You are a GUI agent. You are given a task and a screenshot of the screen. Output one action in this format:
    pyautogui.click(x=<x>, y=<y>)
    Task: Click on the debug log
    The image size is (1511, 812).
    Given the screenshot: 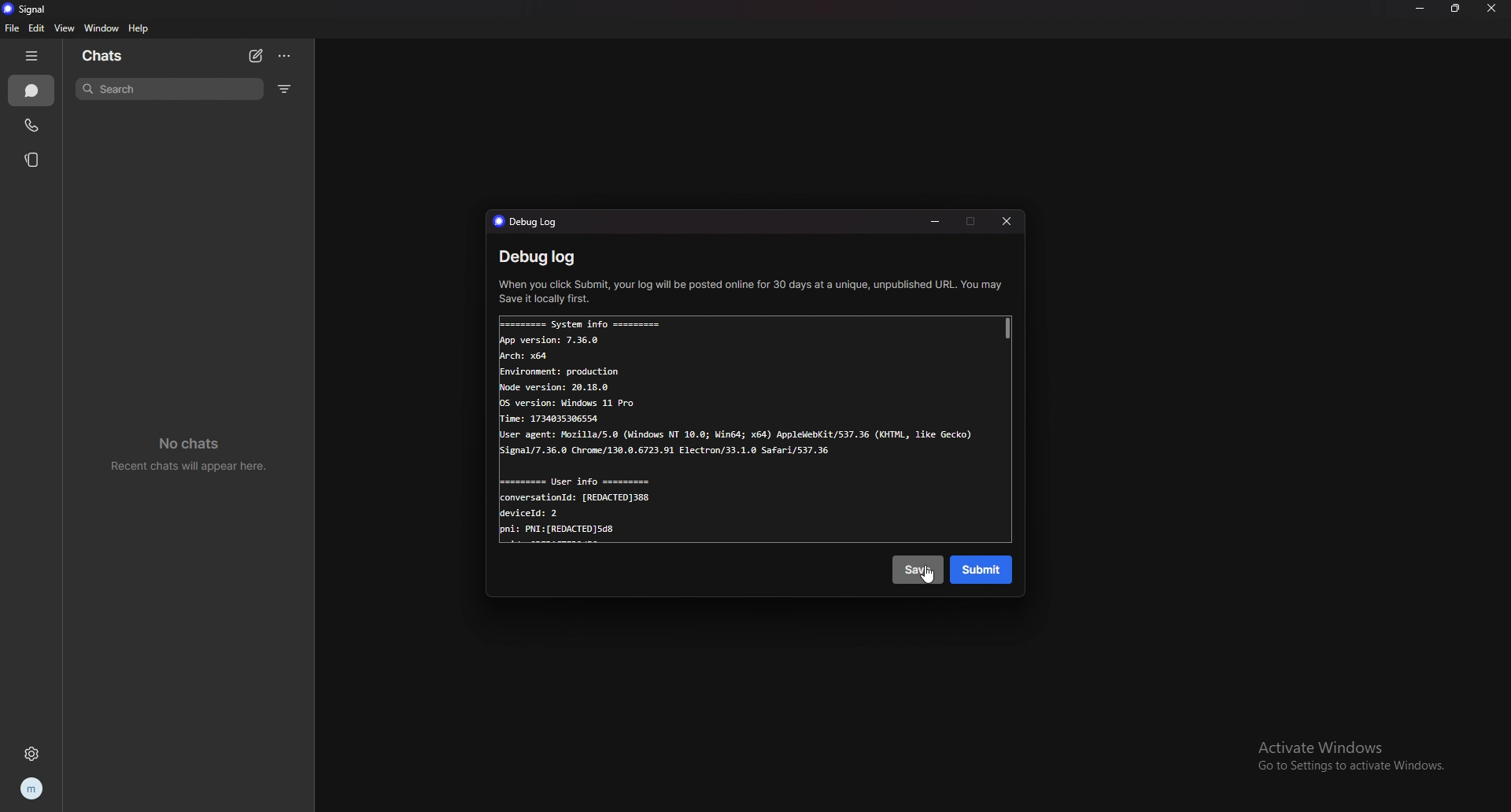 What is the action you would take?
    pyautogui.click(x=534, y=221)
    